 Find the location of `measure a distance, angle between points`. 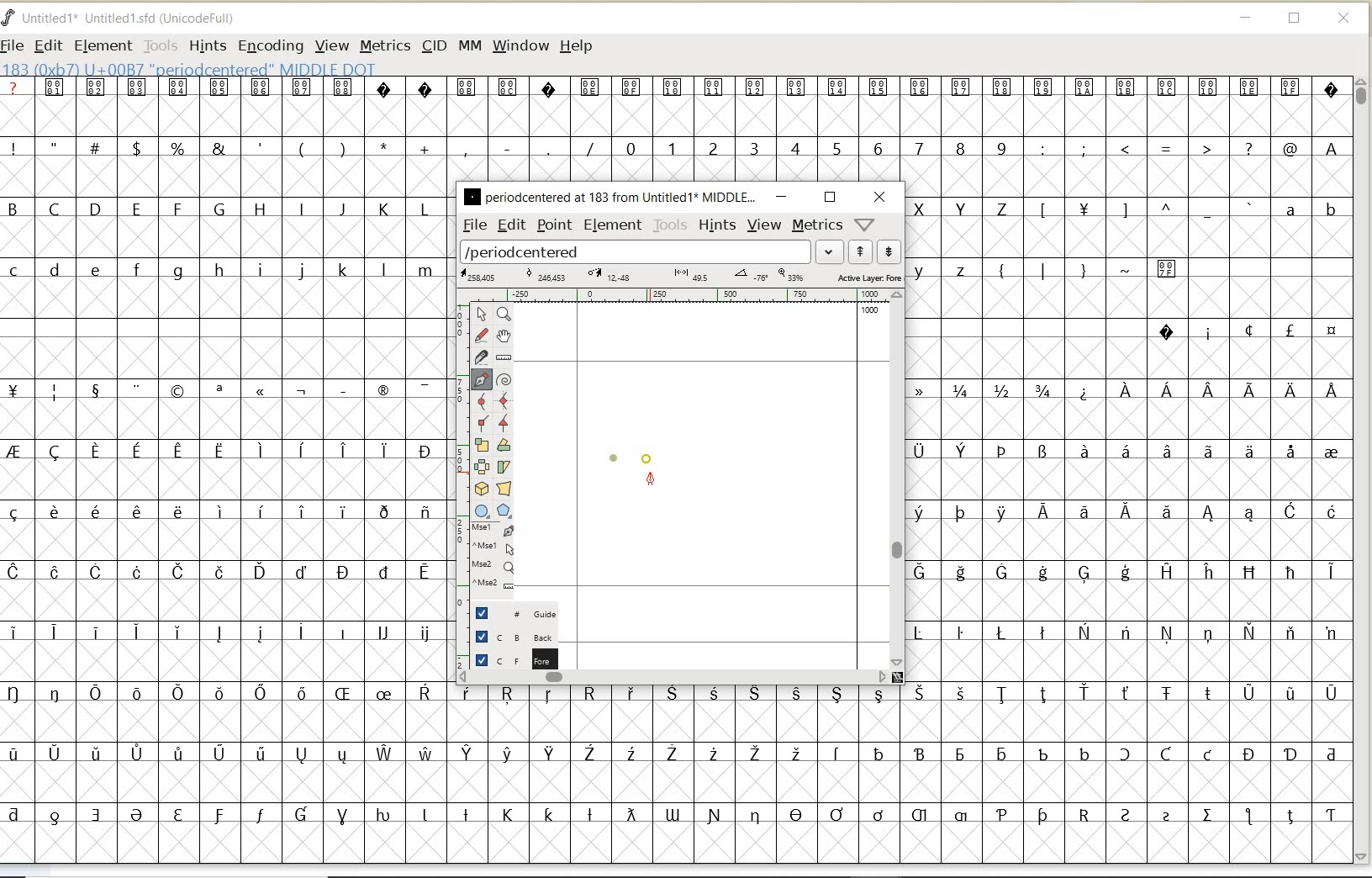

measure a distance, angle between points is located at coordinates (504, 357).